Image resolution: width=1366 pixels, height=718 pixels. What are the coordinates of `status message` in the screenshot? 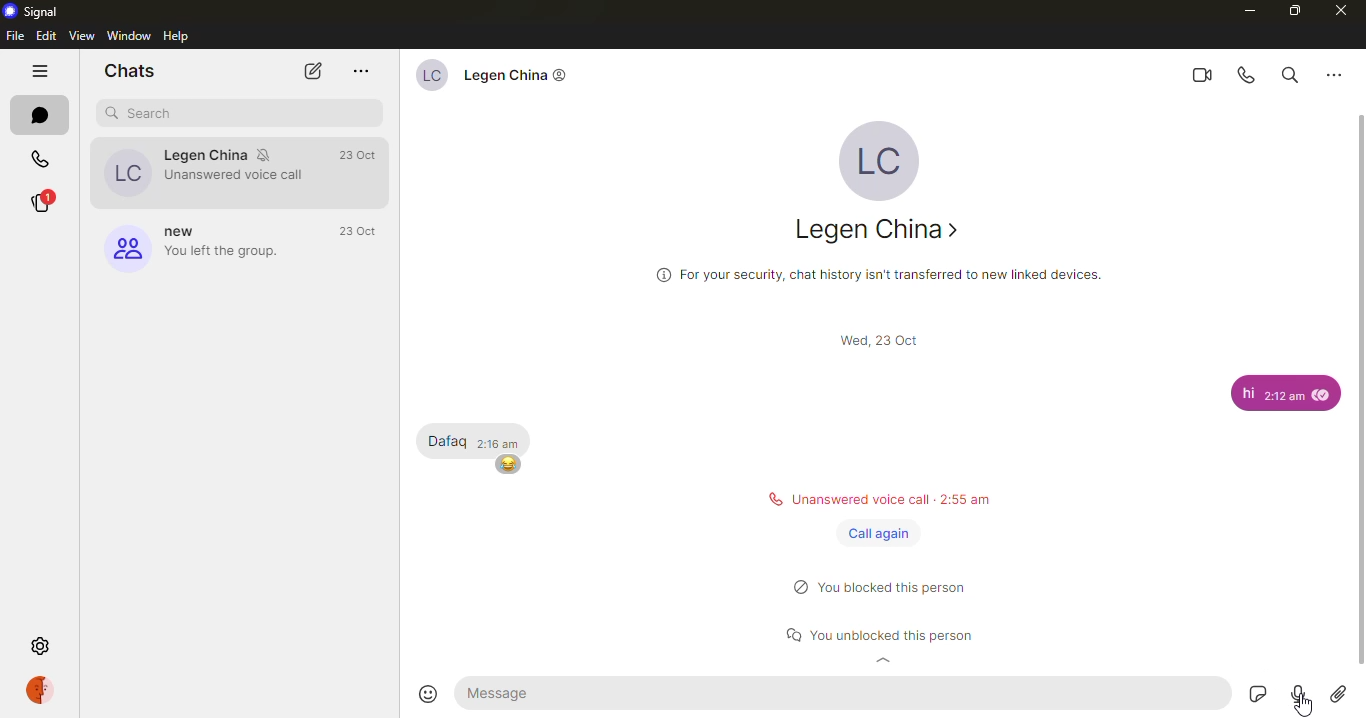 It's located at (880, 585).